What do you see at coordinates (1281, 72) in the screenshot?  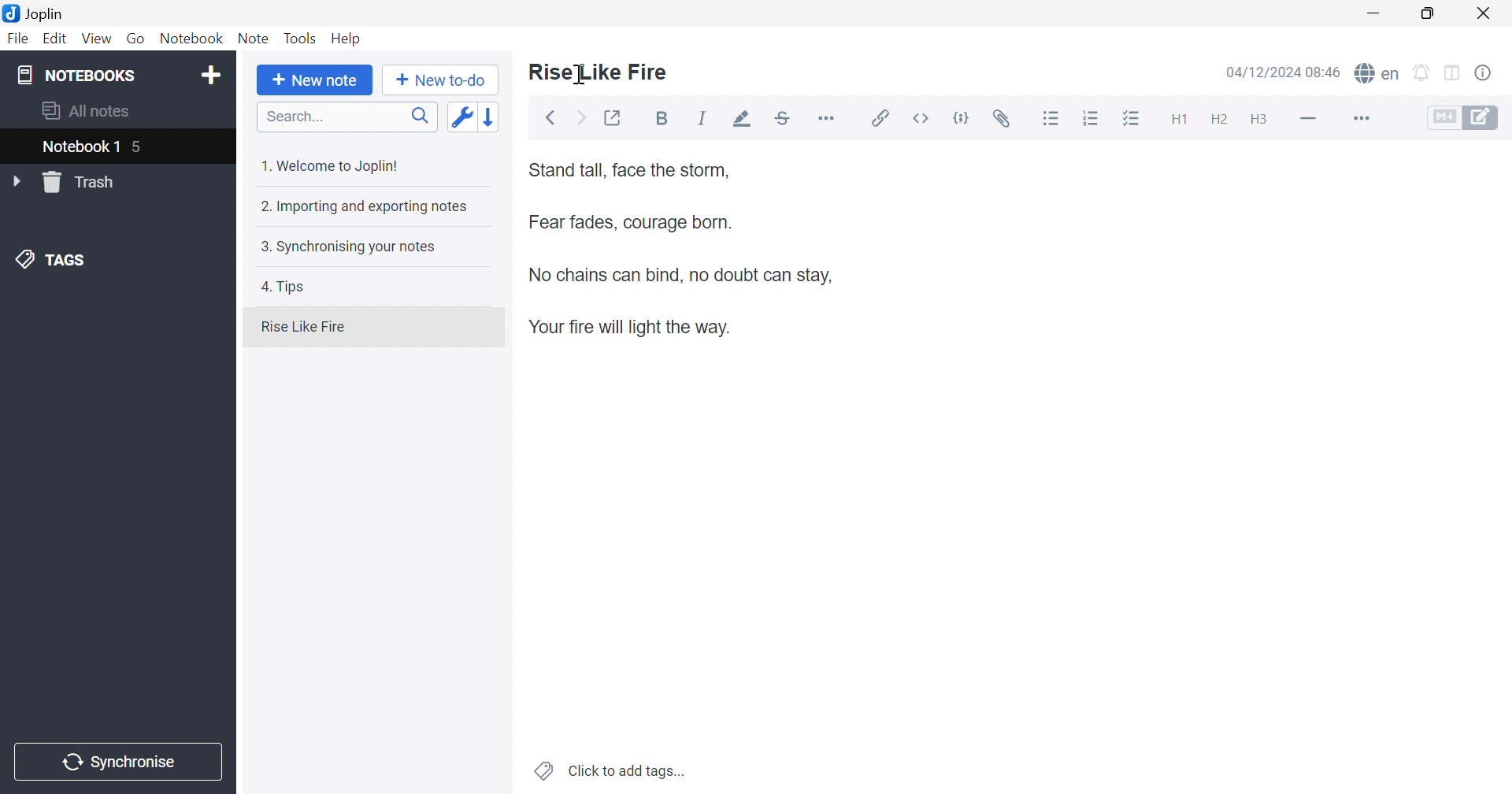 I see `04/12/2024 08:44` at bounding box center [1281, 72].